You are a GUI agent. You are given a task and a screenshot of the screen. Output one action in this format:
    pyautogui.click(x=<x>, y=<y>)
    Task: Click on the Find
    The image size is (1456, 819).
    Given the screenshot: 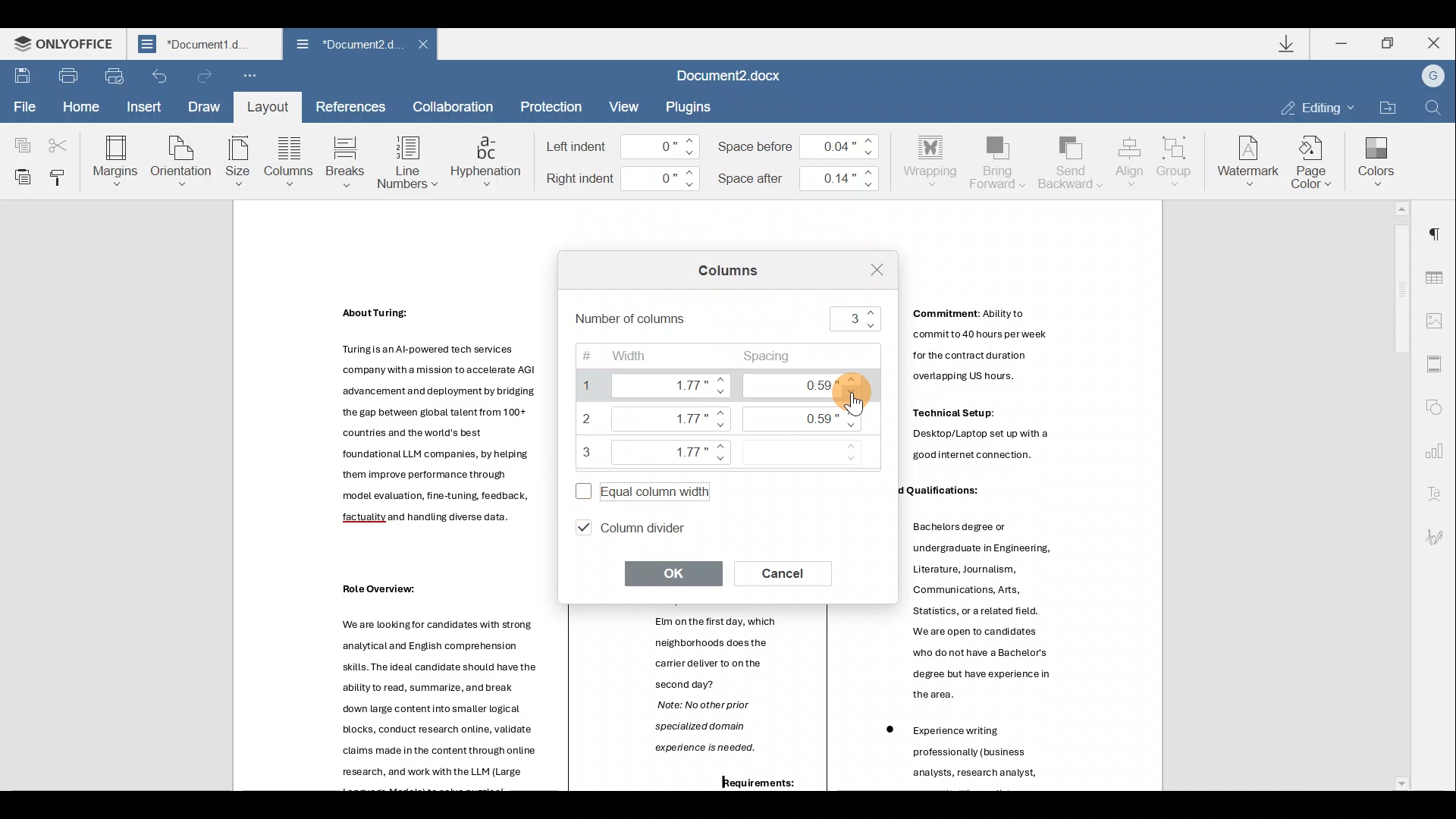 What is the action you would take?
    pyautogui.click(x=1434, y=108)
    